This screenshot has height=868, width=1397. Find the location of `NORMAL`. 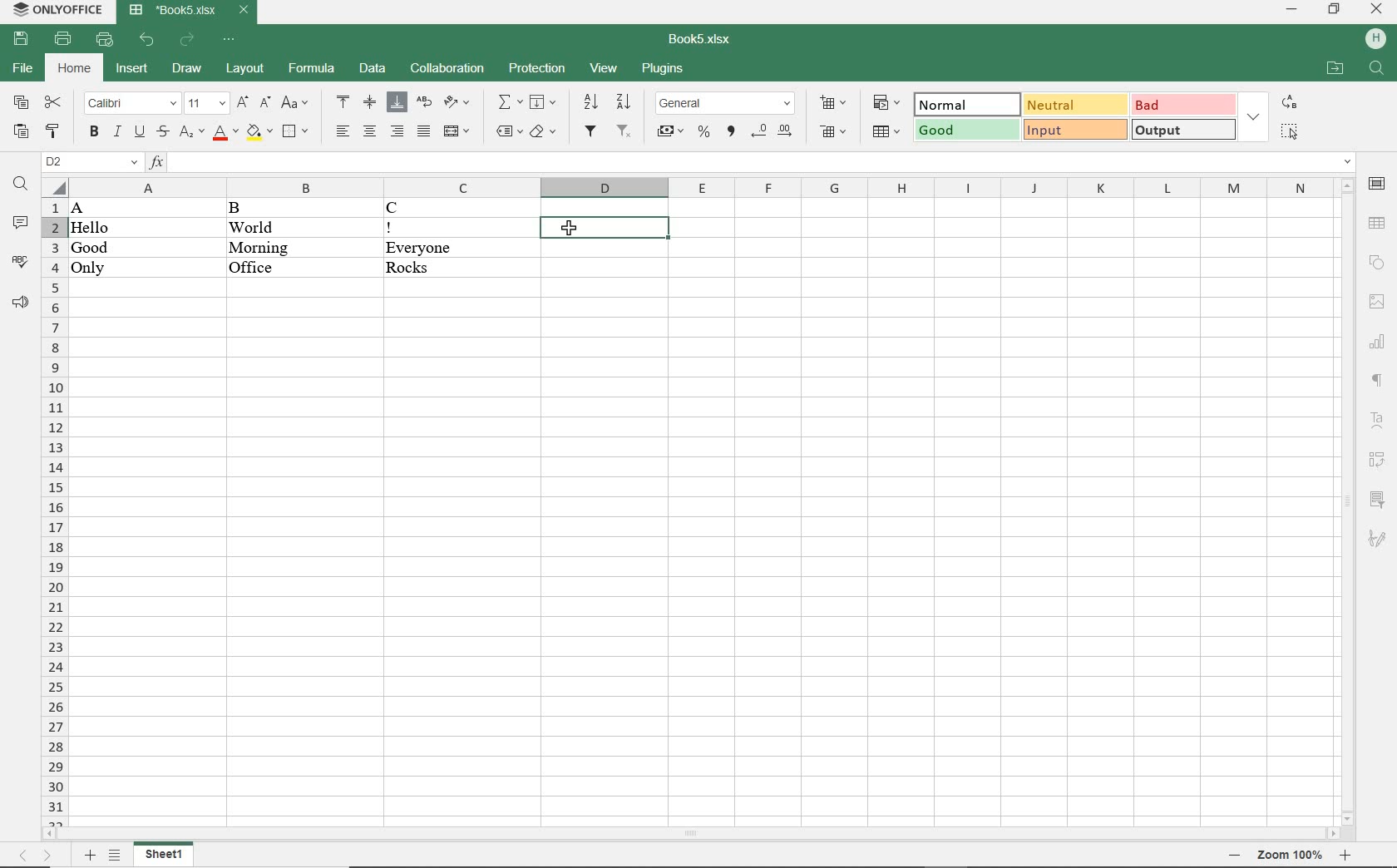

NORMAL is located at coordinates (964, 105).